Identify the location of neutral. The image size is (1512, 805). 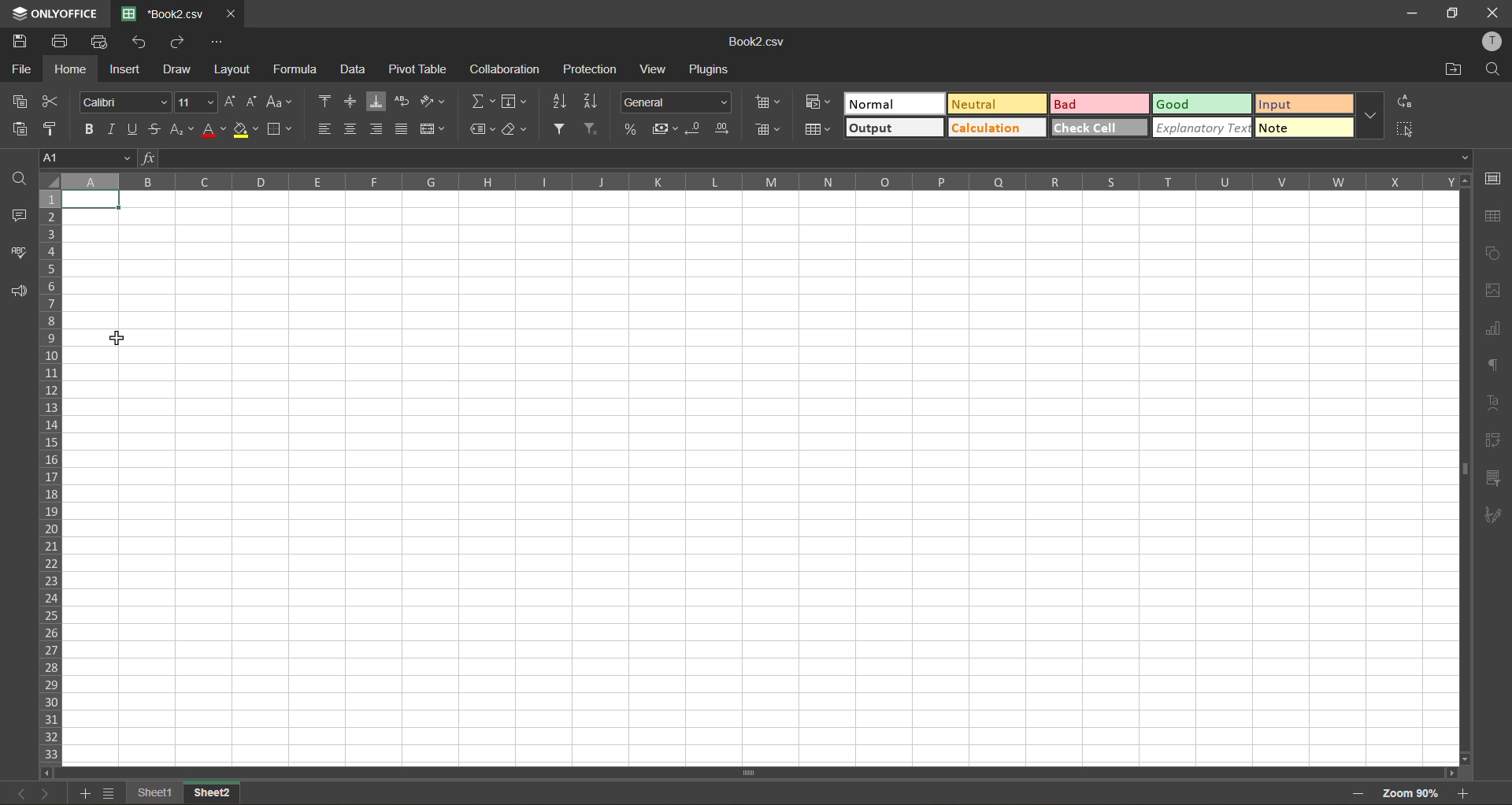
(994, 103).